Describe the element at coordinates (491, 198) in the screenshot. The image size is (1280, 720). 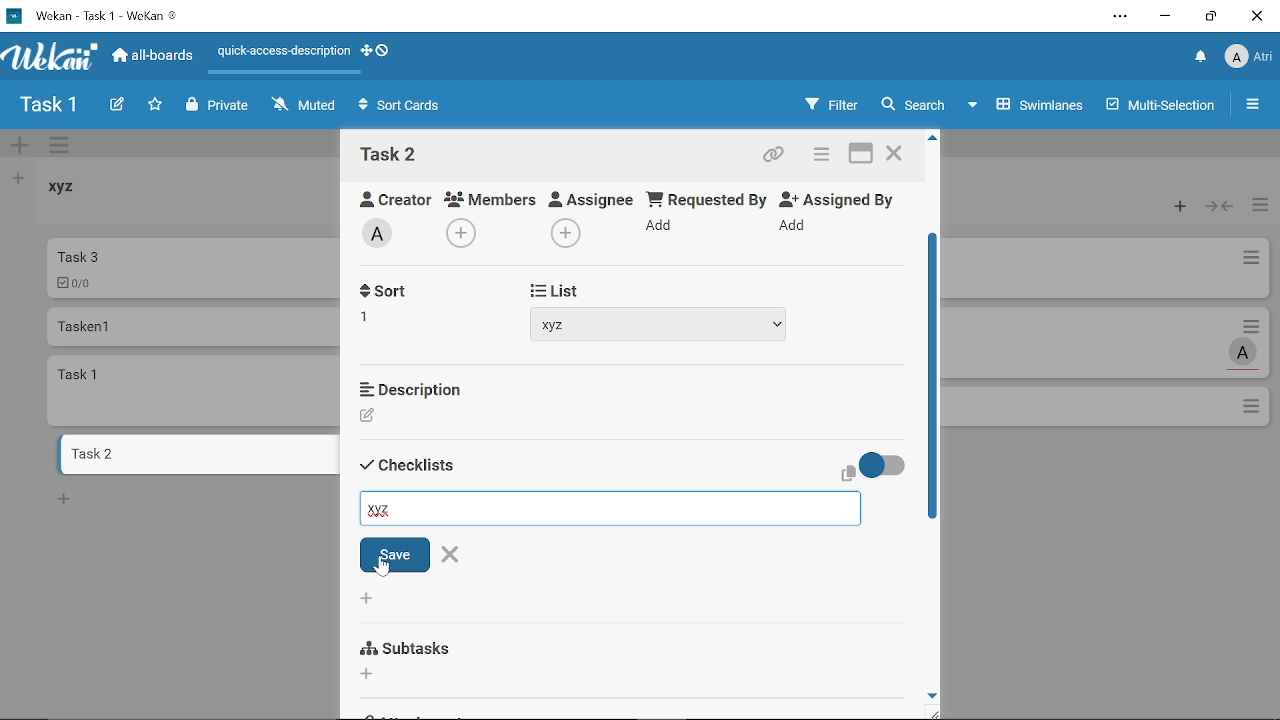
I see `Members` at that location.